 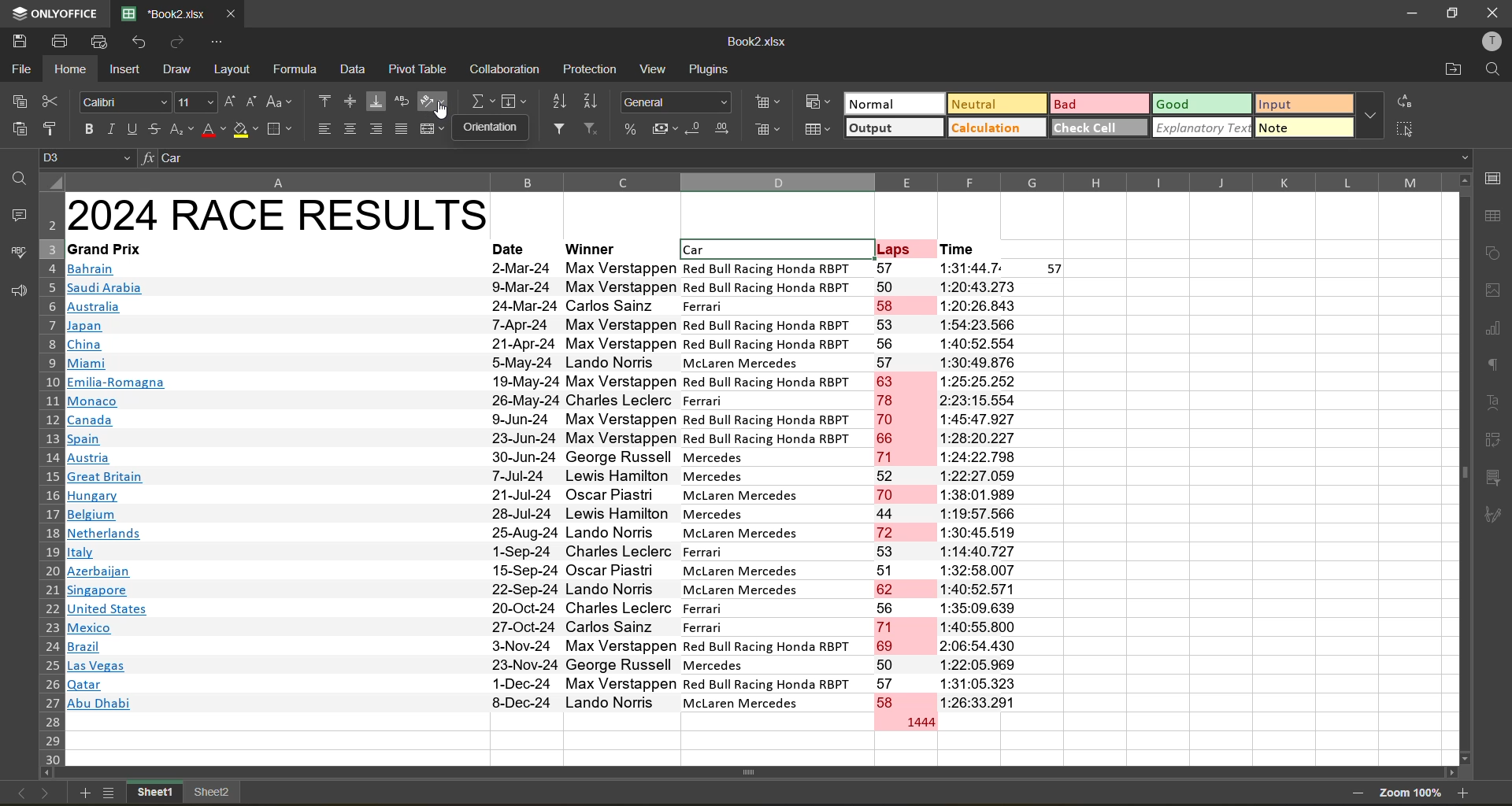 What do you see at coordinates (506, 70) in the screenshot?
I see `calculation` at bounding box center [506, 70].